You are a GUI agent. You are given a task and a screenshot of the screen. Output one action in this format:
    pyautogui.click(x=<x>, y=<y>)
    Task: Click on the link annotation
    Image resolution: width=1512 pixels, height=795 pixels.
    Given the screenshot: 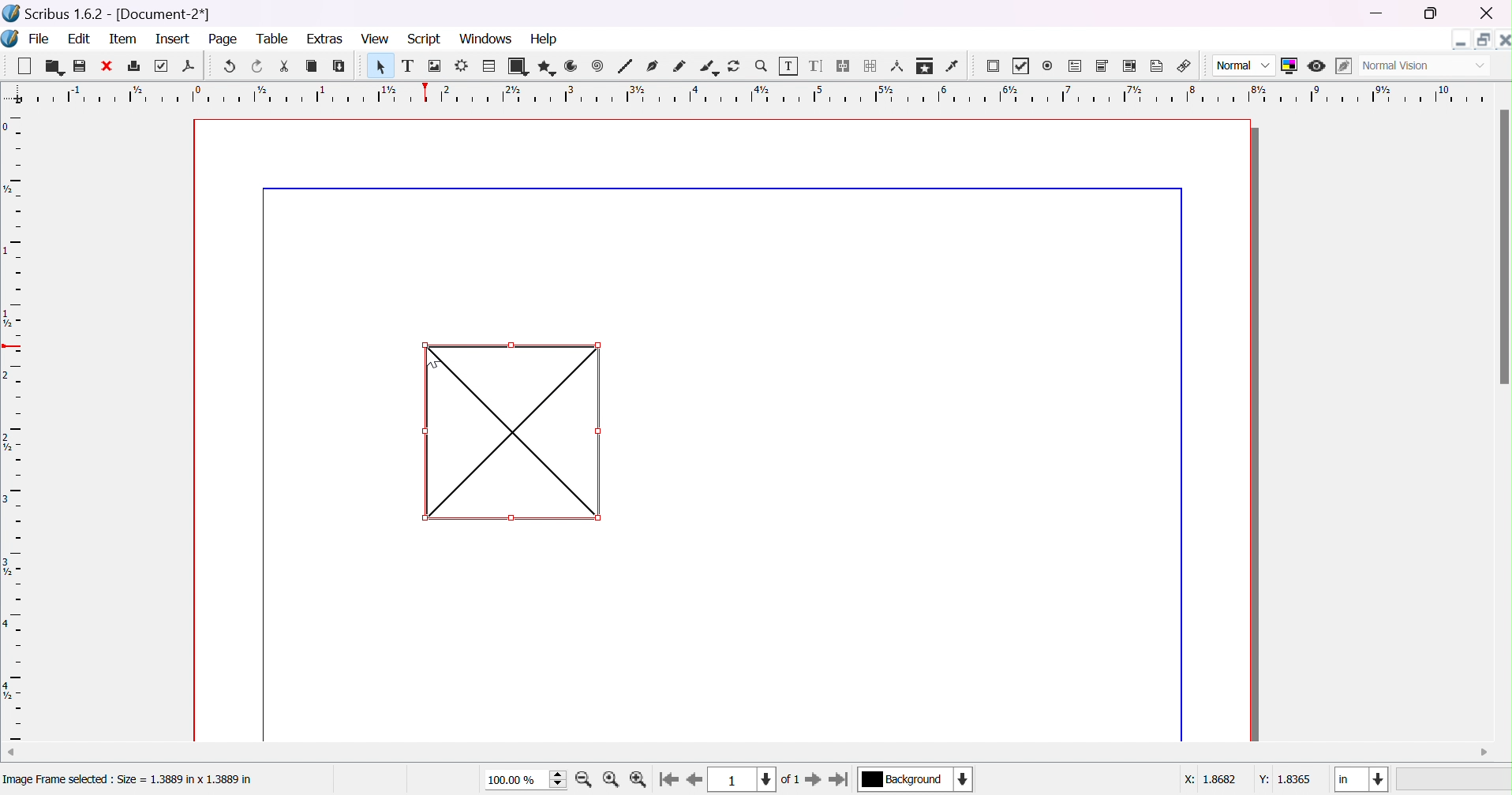 What is the action you would take?
    pyautogui.click(x=1185, y=64)
    